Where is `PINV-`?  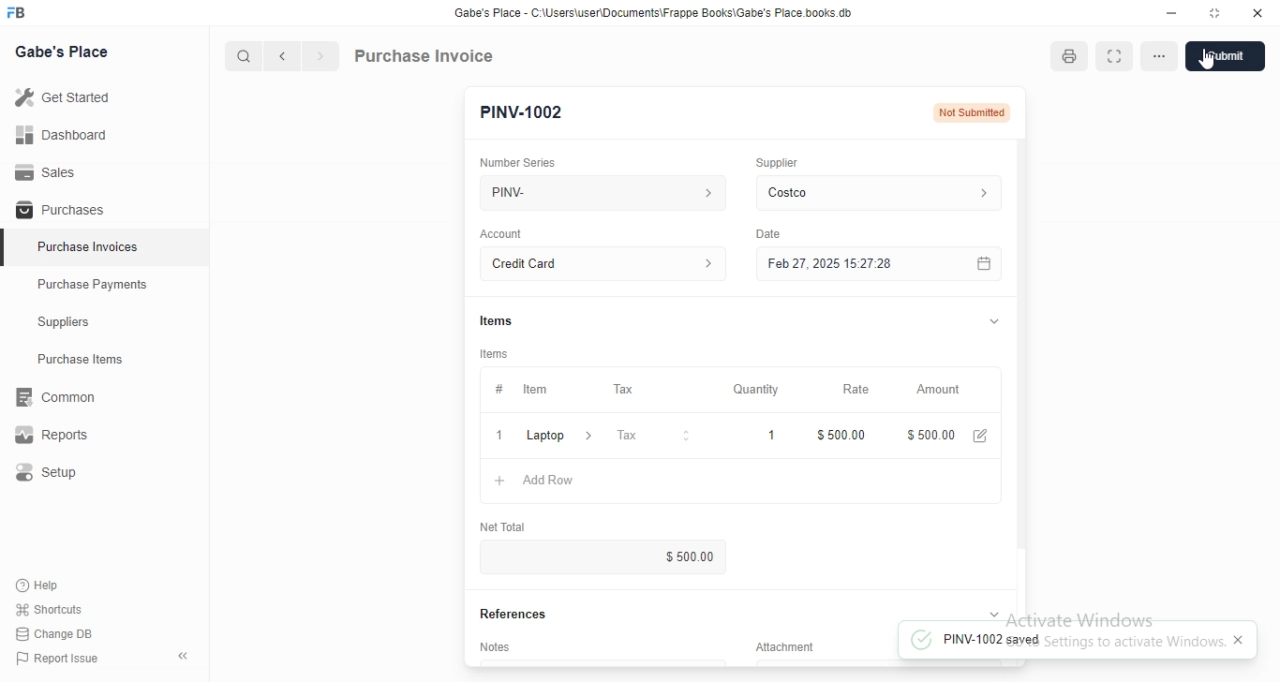 PINV- is located at coordinates (603, 193).